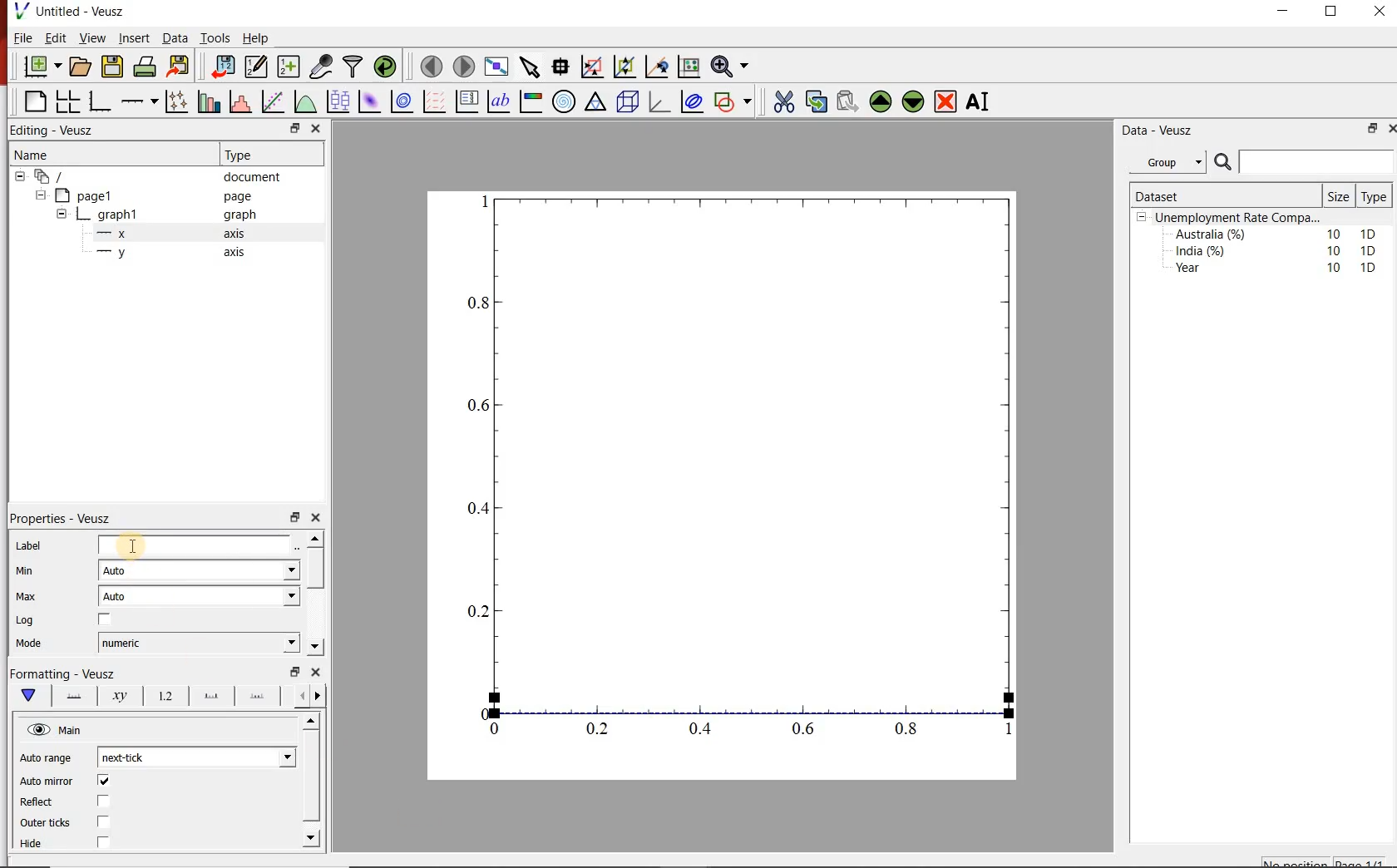  What do you see at coordinates (1277, 250) in the screenshot?
I see `India (%) 10 1D` at bounding box center [1277, 250].